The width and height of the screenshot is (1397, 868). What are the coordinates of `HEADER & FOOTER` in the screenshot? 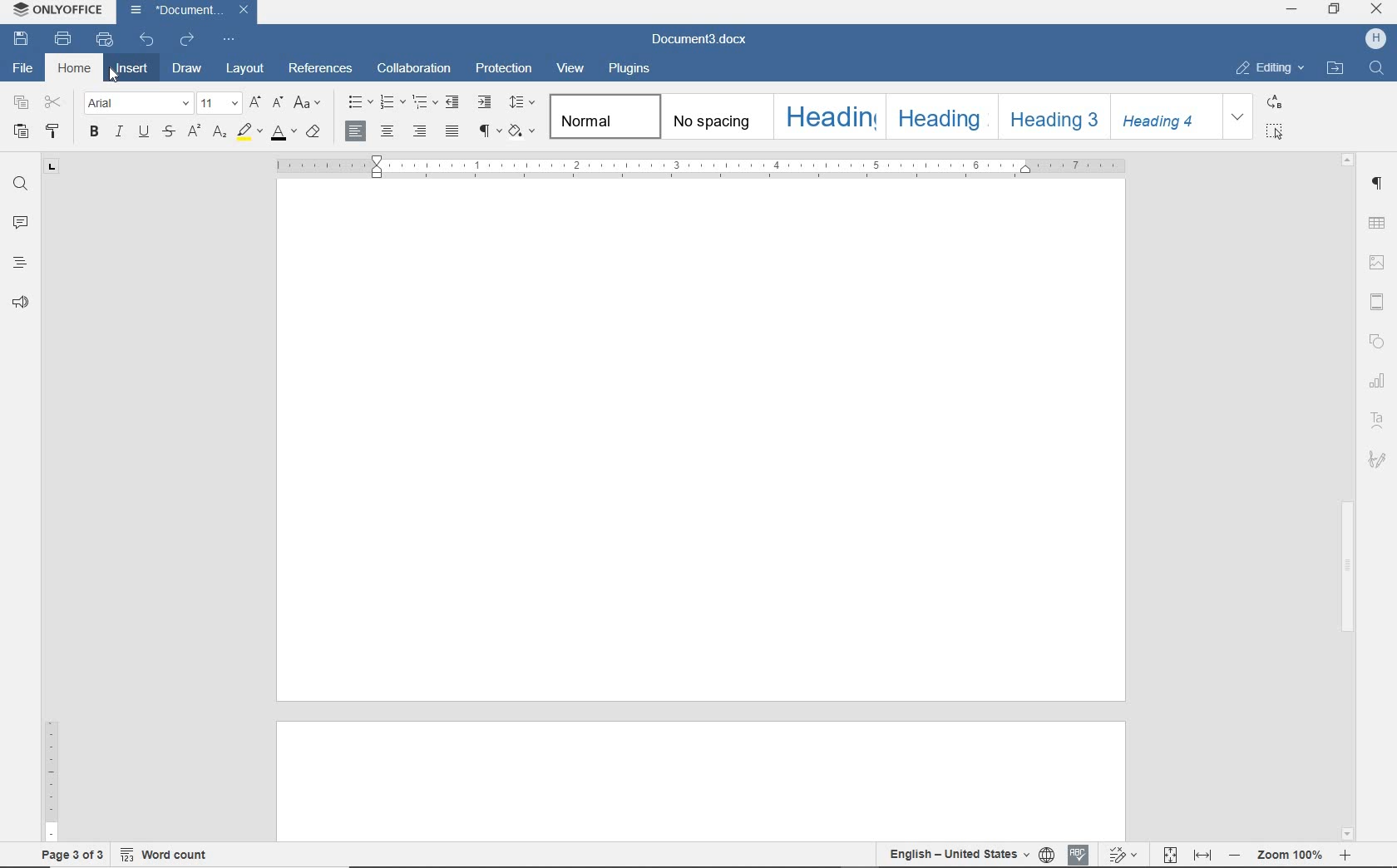 It's located at (1380, 303).